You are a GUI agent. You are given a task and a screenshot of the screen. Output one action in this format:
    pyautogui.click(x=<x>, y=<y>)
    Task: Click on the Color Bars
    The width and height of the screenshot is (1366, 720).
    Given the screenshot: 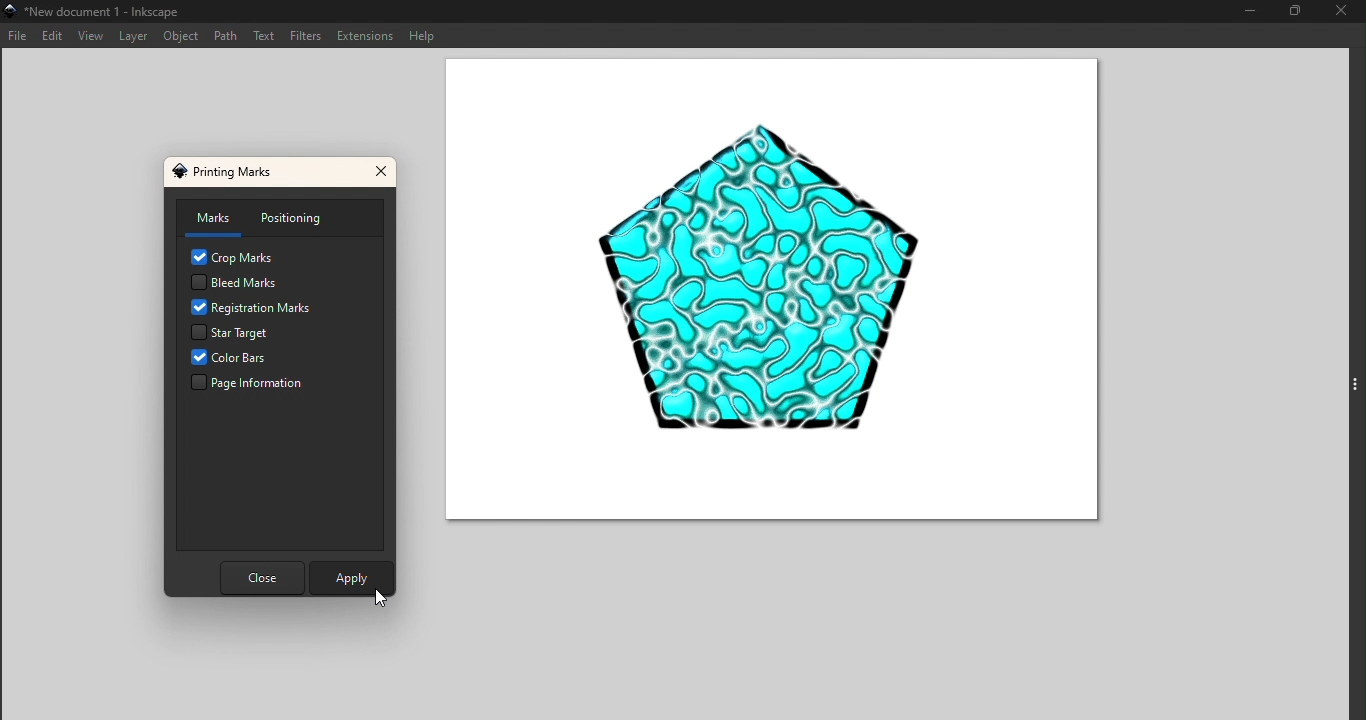 What is the action you would take?
    pyautogui.click(x=248, y=359)
    